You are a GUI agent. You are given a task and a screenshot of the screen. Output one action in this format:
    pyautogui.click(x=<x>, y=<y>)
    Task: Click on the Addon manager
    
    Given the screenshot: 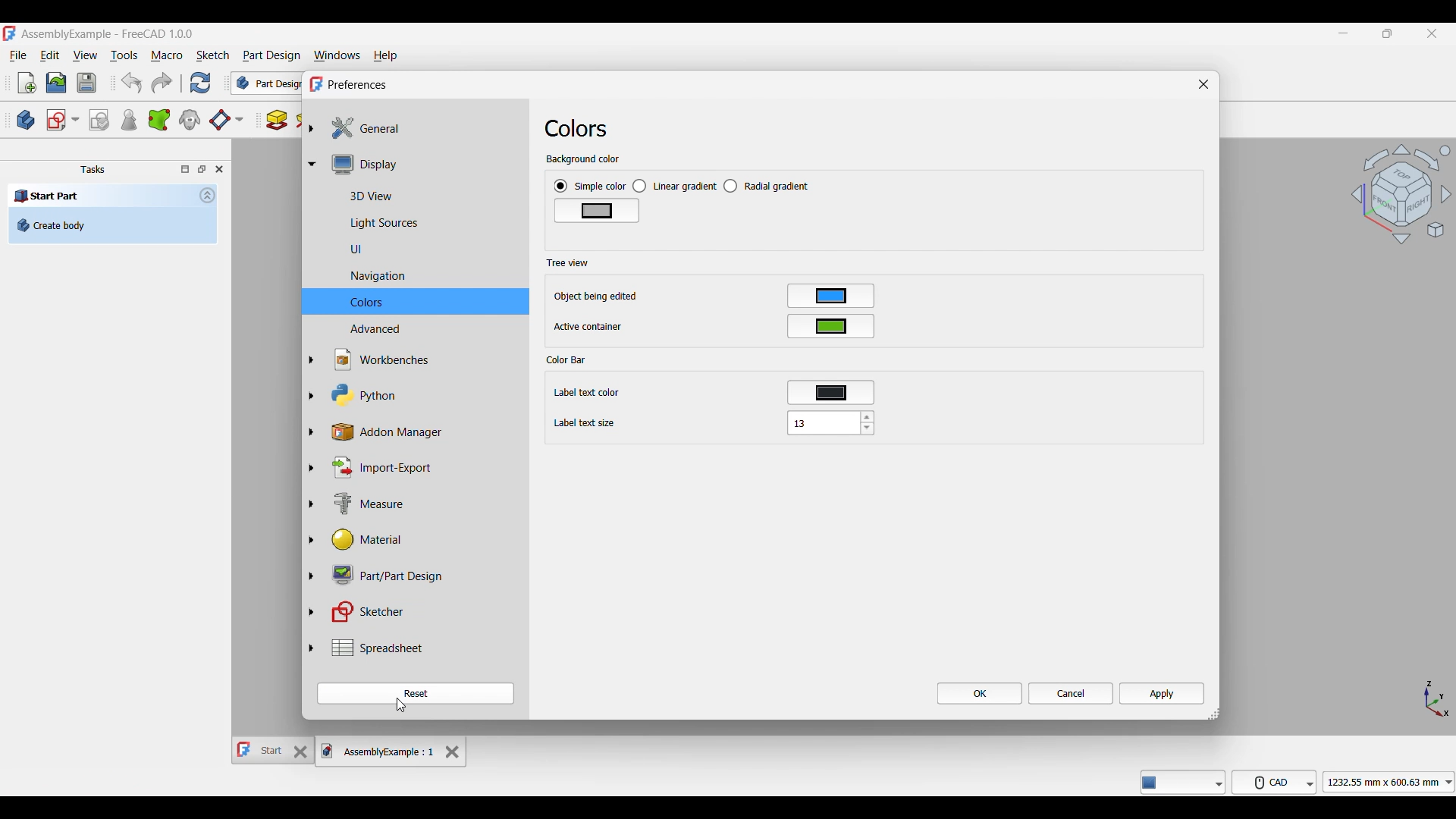 What is the action you would take?
    pyautogui.click(x=392, y=433)
    